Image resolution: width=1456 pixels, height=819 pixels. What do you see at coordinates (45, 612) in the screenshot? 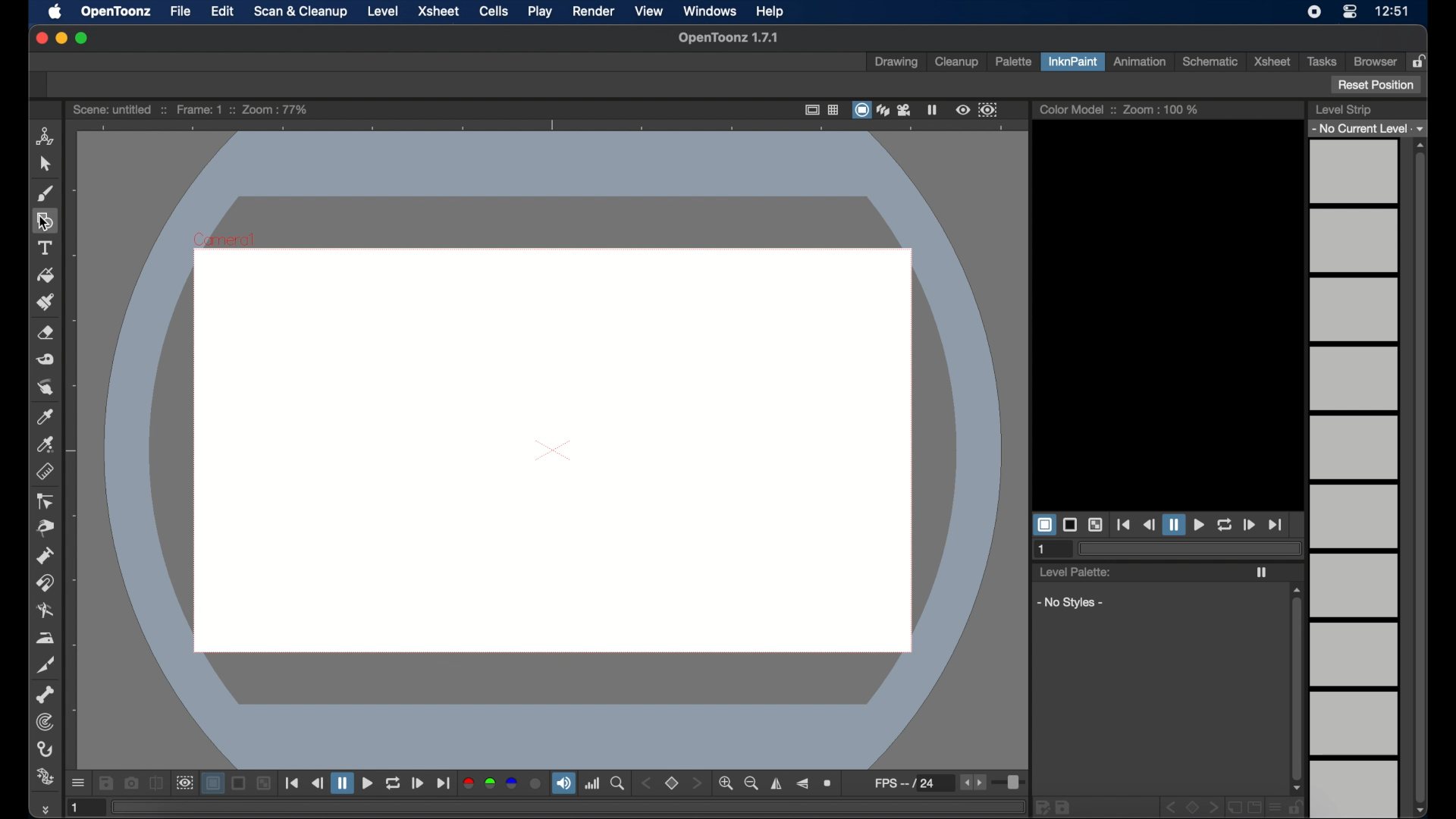
I see `blender tool` at bounding box center [45, 612].